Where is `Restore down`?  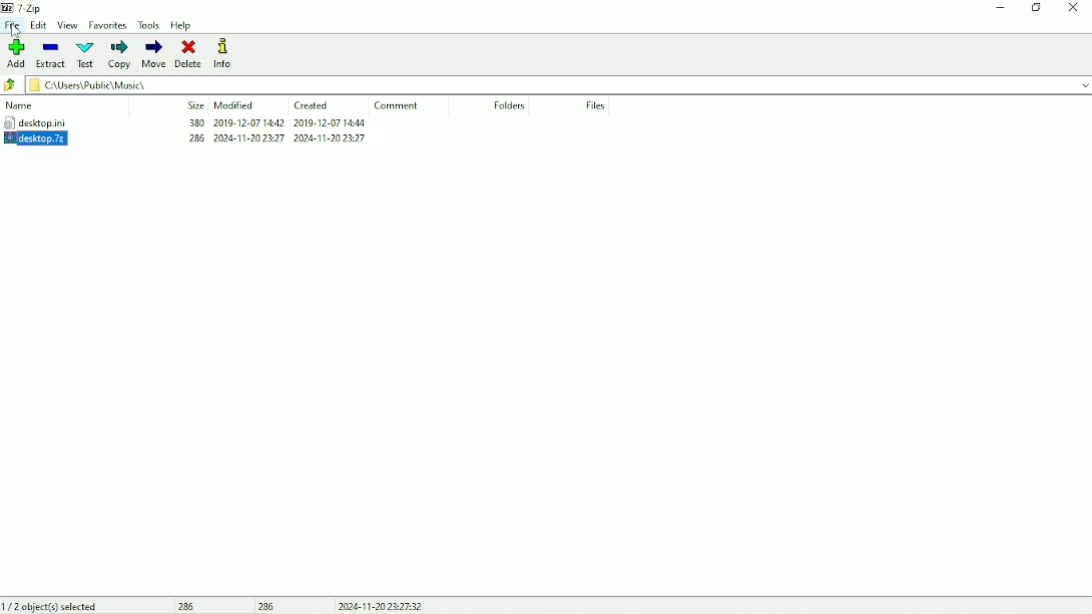
Restore down is located at coordinates (1035, 8).